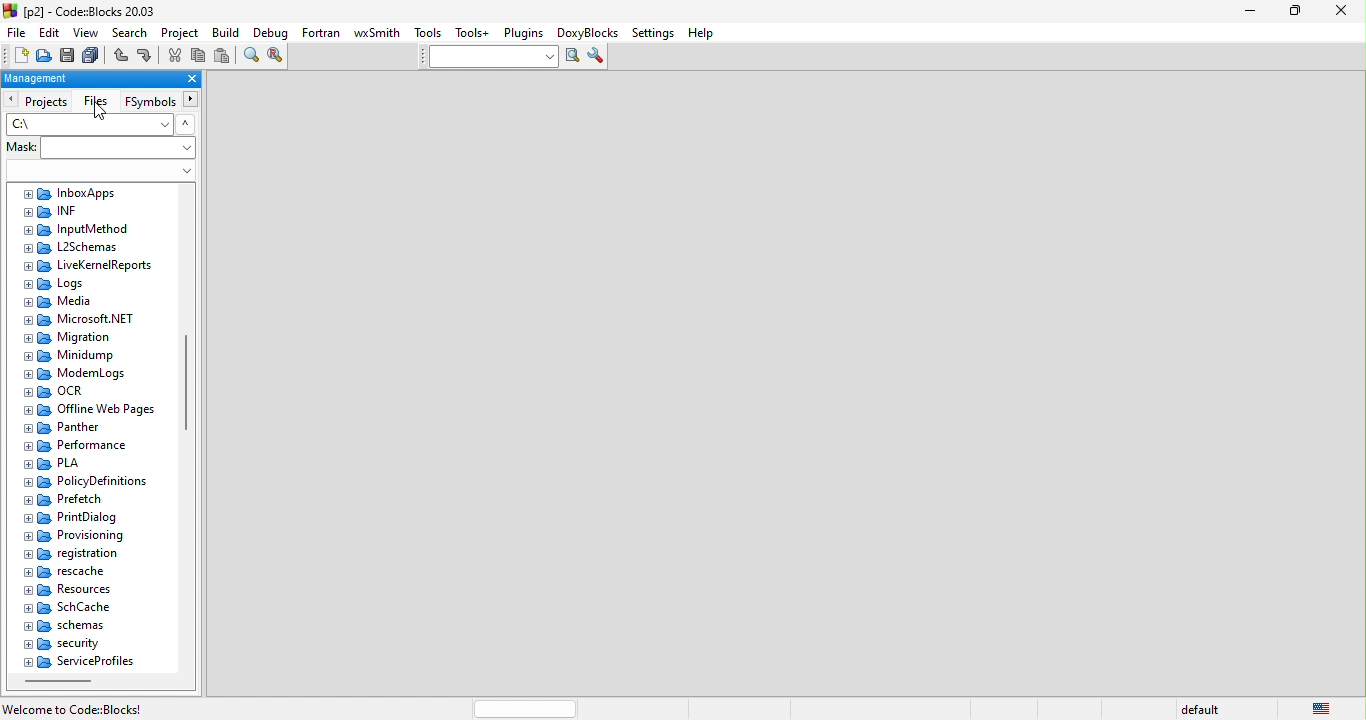  I want to click on resource, so click(81, 590).